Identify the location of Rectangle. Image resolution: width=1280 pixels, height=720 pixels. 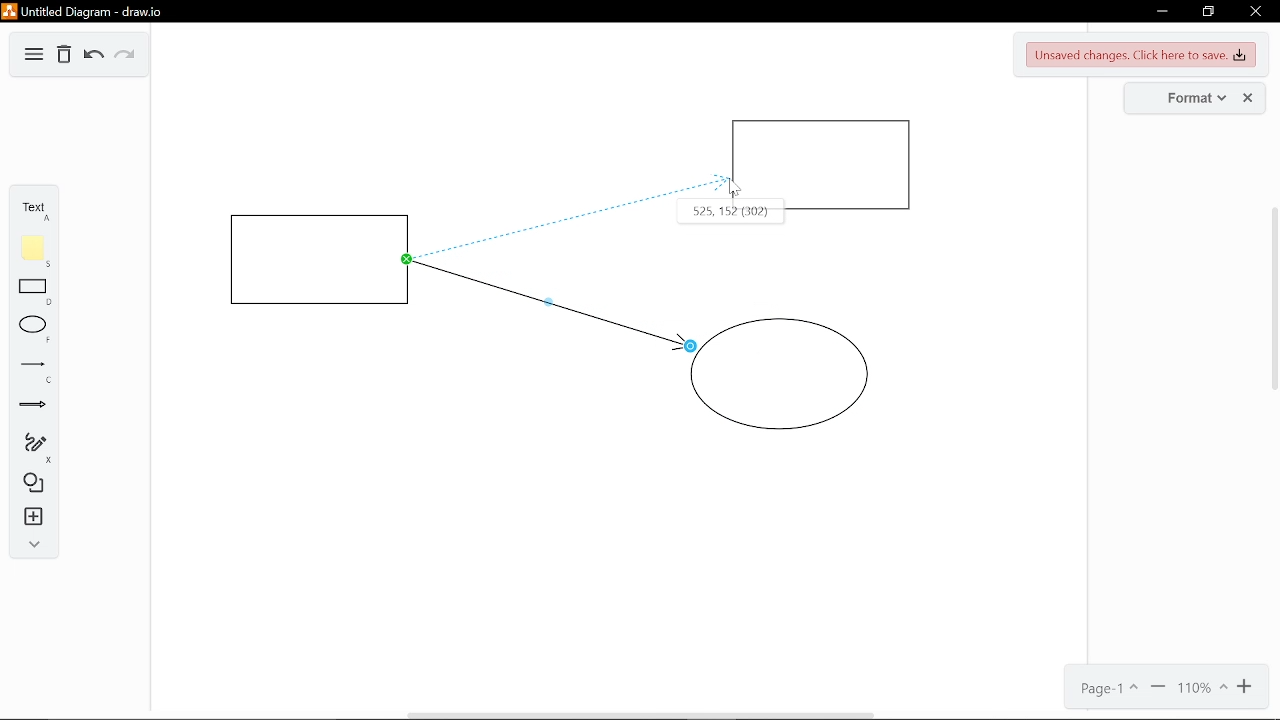
(322, 260).